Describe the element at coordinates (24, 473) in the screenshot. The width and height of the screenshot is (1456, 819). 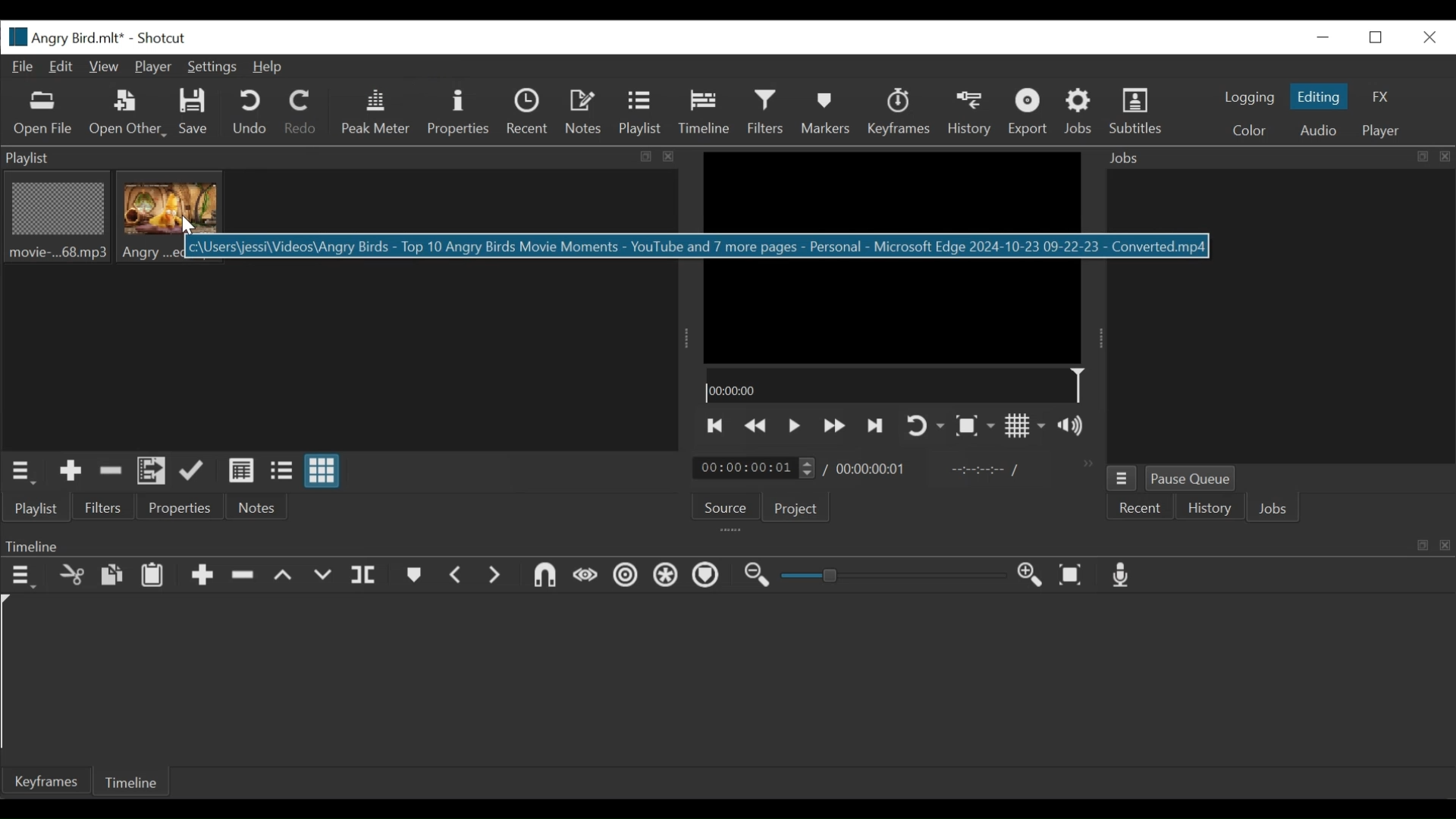
I see `Playlist menu` at that location.